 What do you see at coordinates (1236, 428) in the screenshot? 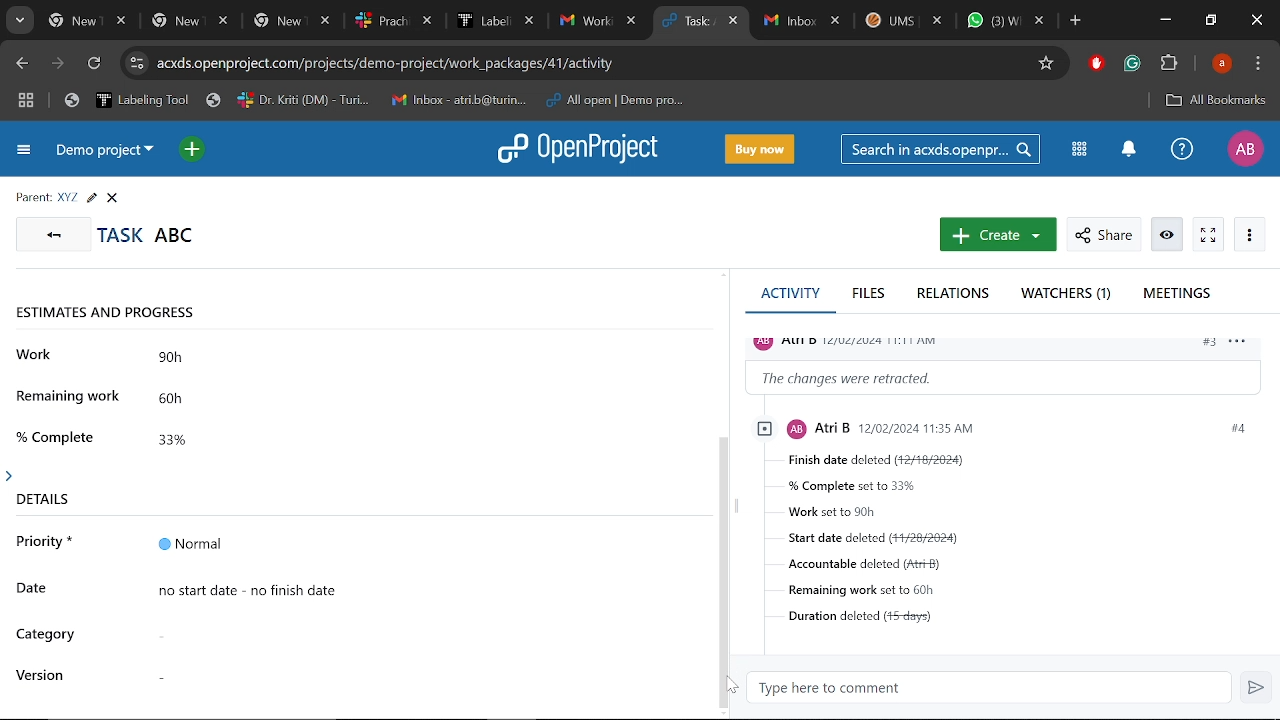
I see `#4` at bounding box center [1236, 428].